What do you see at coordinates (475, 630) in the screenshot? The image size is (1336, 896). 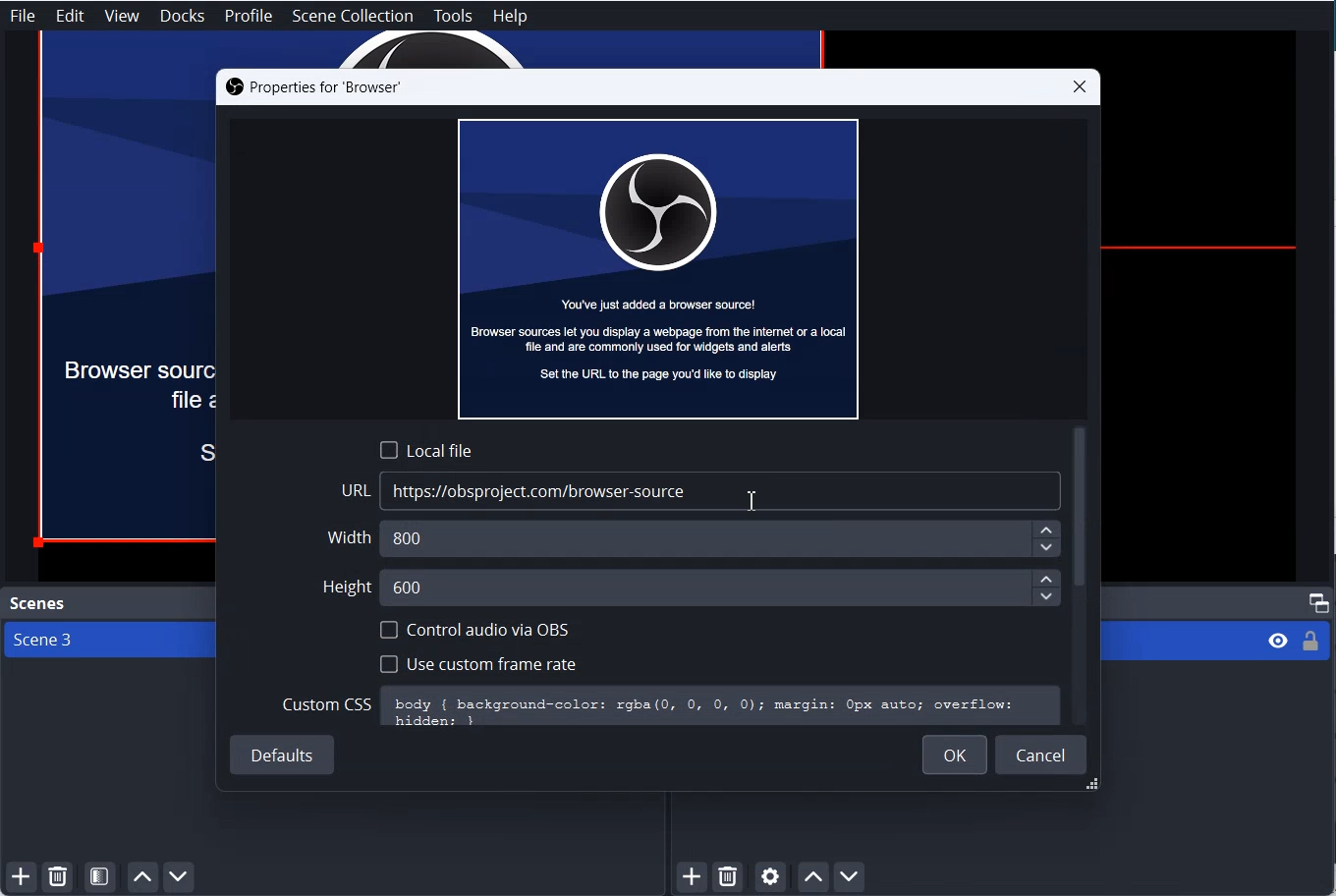 I see `(un)check Control audio via OBS` at bounding box center [475, 630].